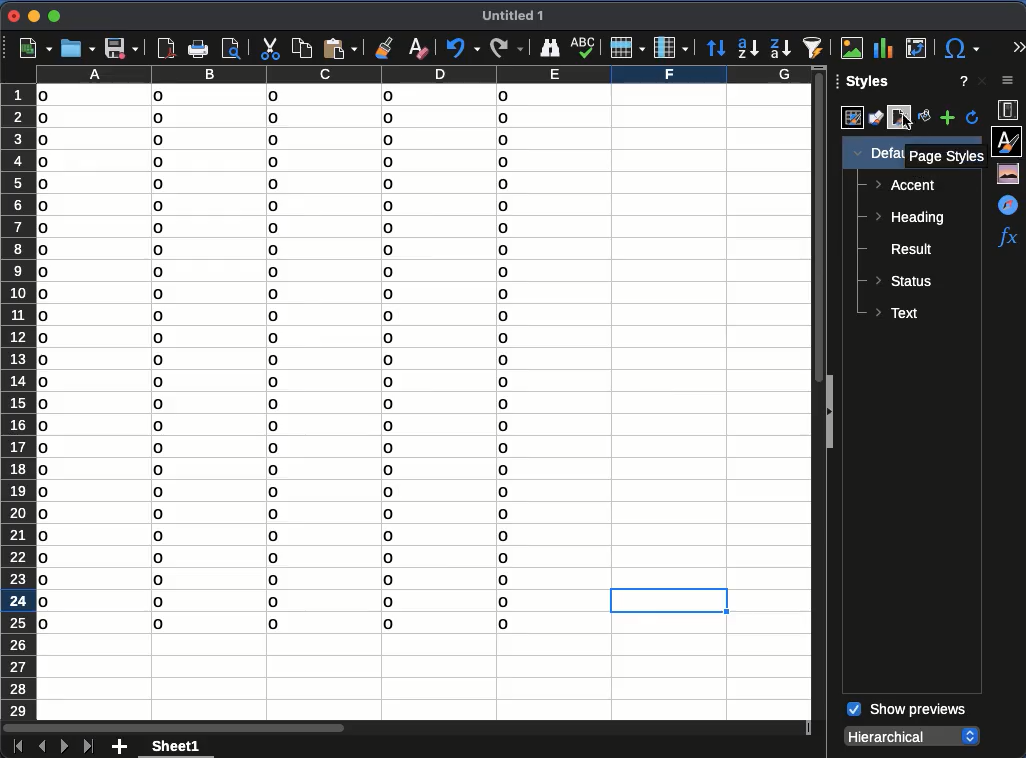  I want to click on cell, so click(666, 602).